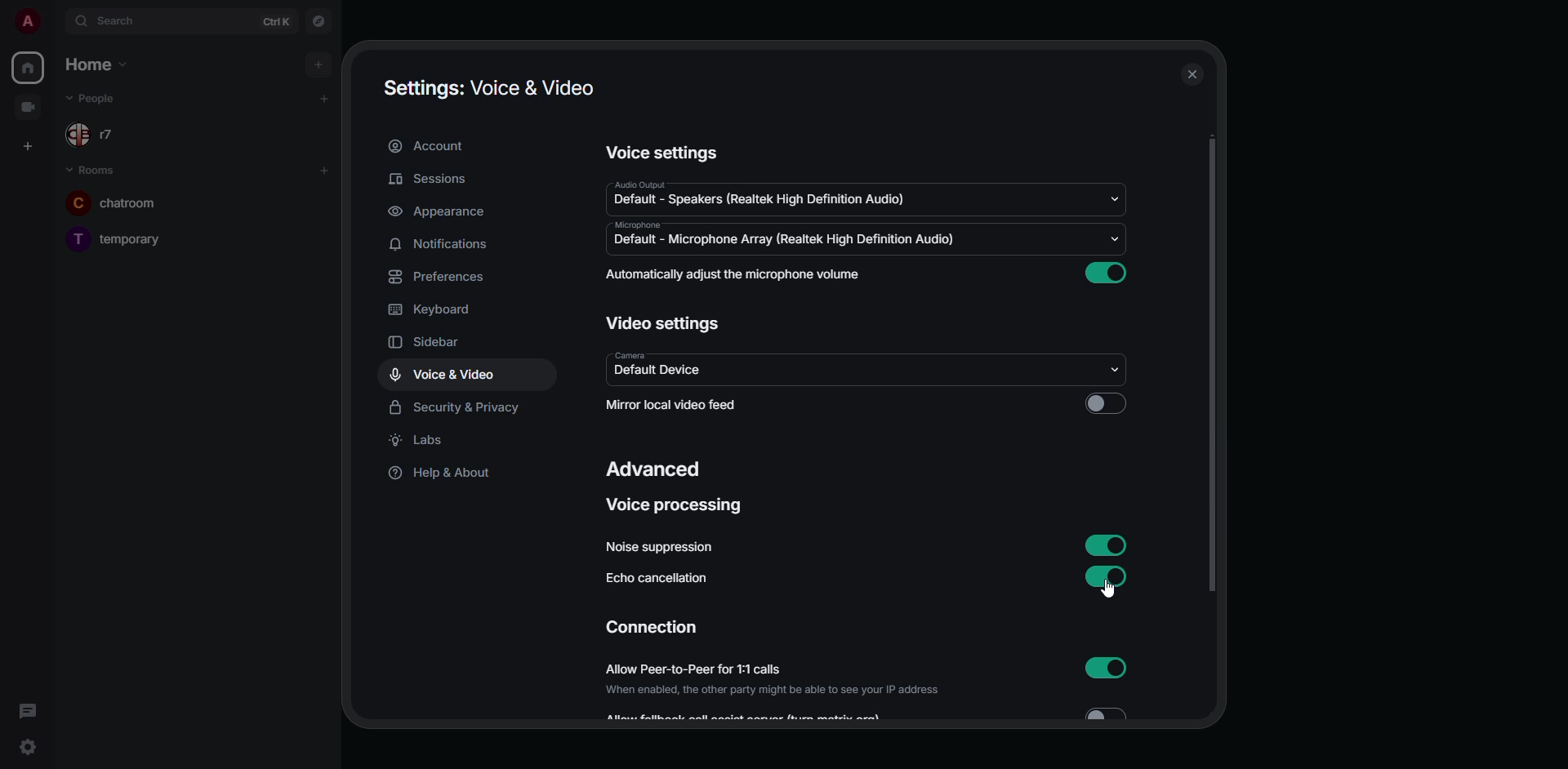  I want to click on sessions, so click(432, 180).